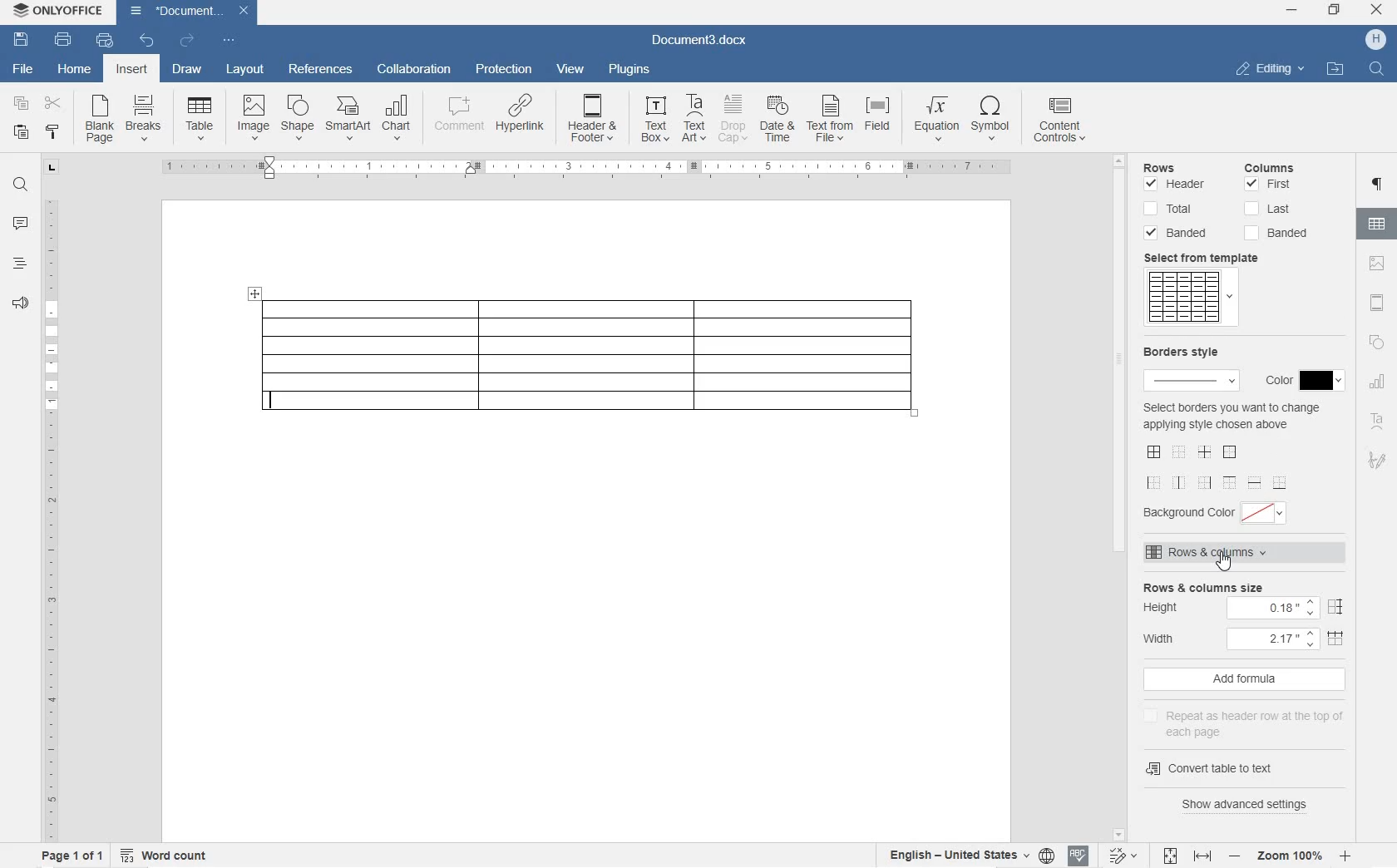 The image size is (1397, 868). What do you see at coordinates (693, 119) in the screenshot?
I see `TEXT ART` at bounding box center [693, 119].